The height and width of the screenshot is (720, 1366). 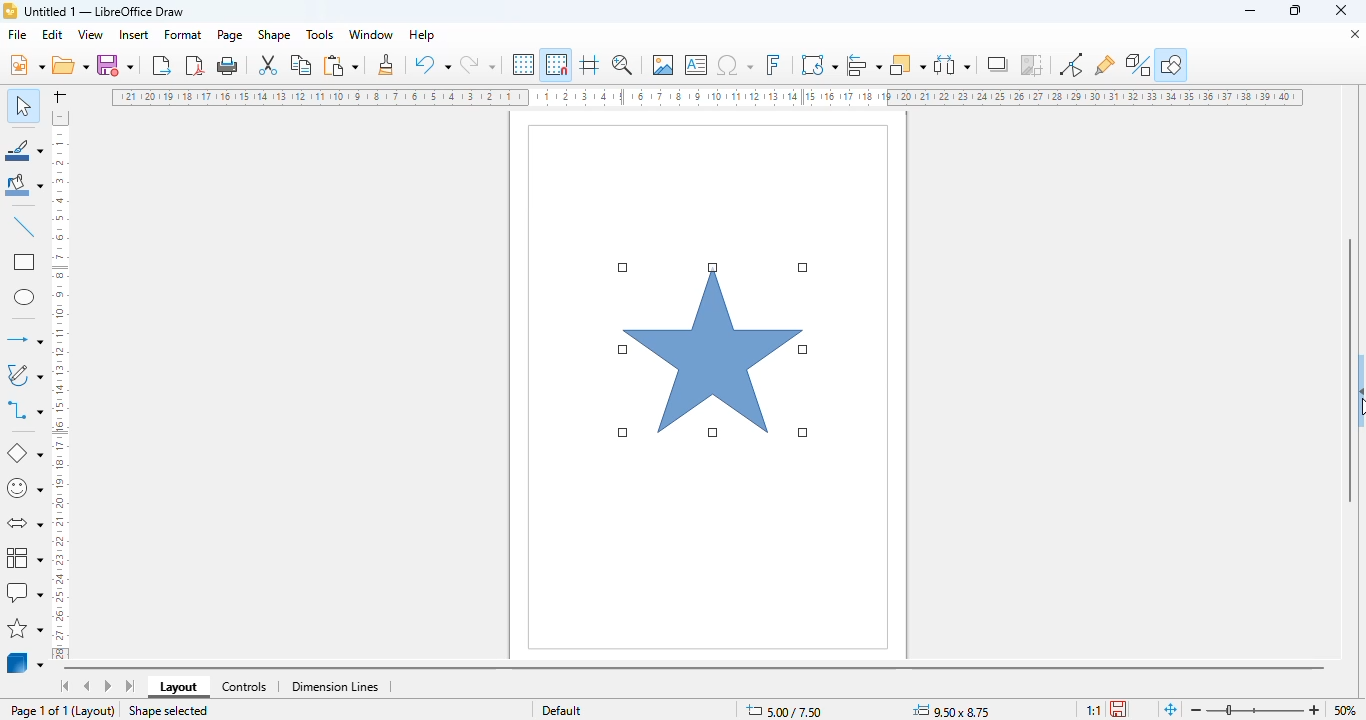 What do you see at coordinates (245, 688) in the screenshot?
I see `controls` at bounding box center [245, 688].